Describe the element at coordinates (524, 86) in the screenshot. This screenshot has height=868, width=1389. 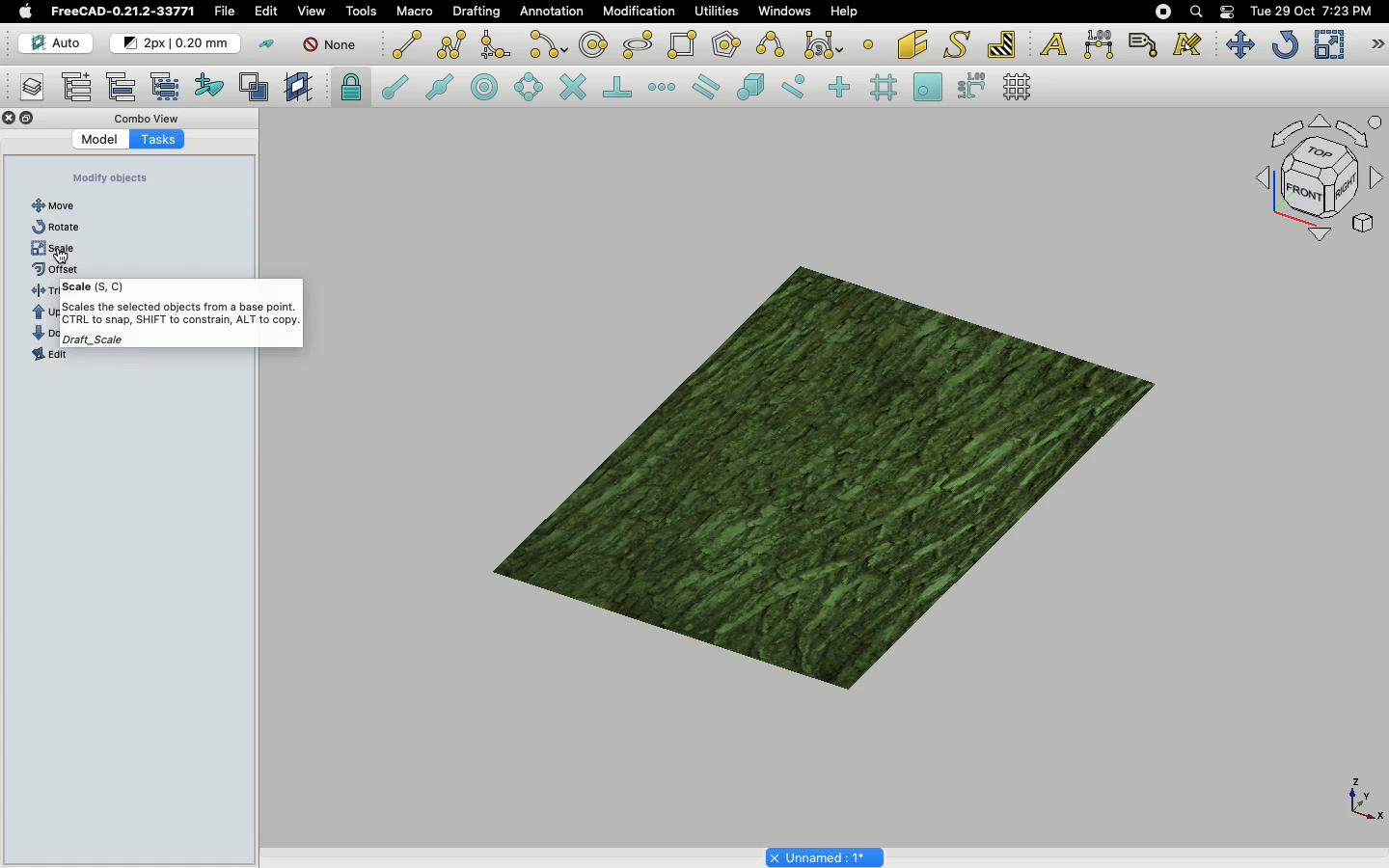
I see `Snap angle` at that location.